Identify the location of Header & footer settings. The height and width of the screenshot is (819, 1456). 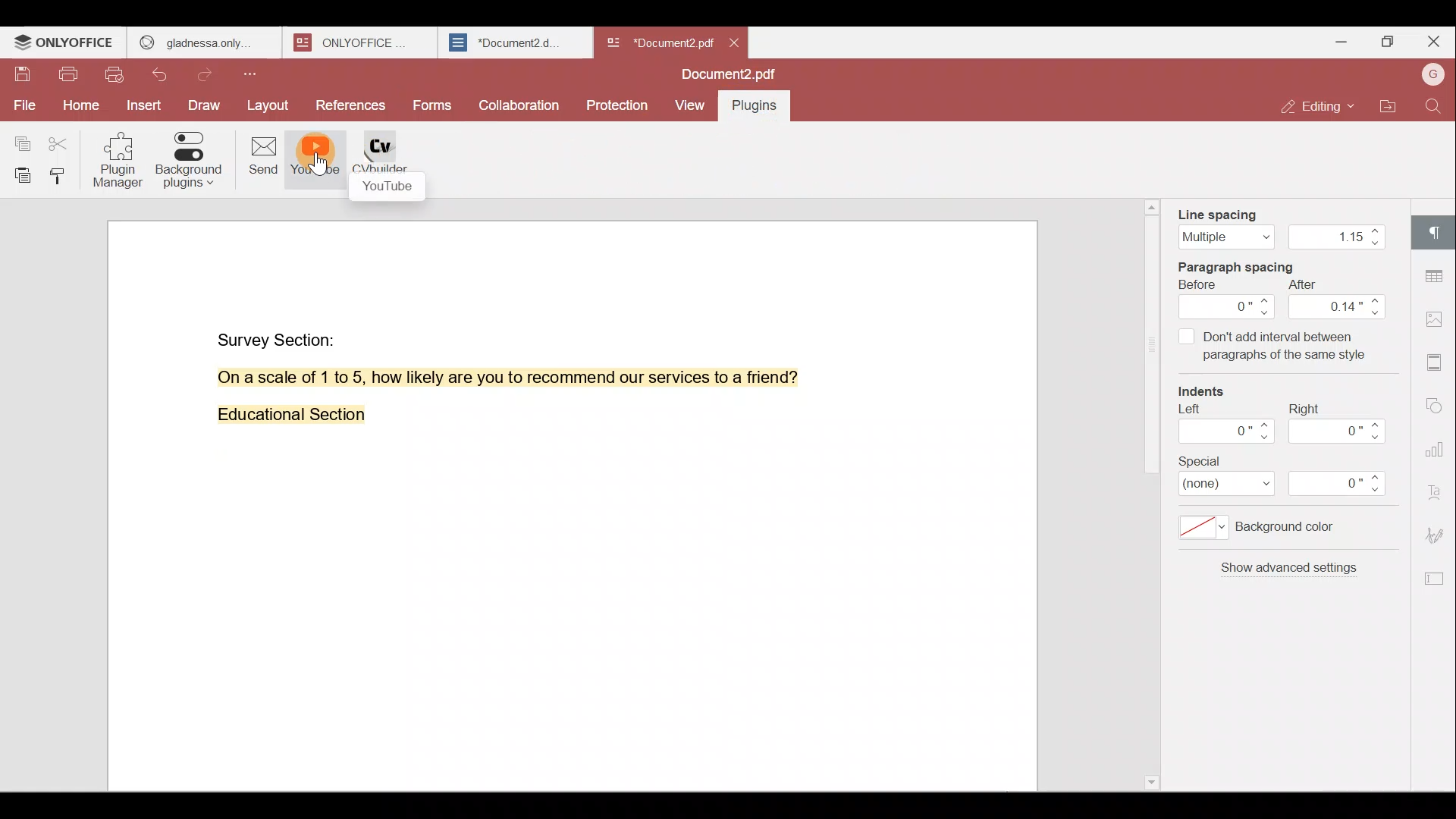
(1438, 361).